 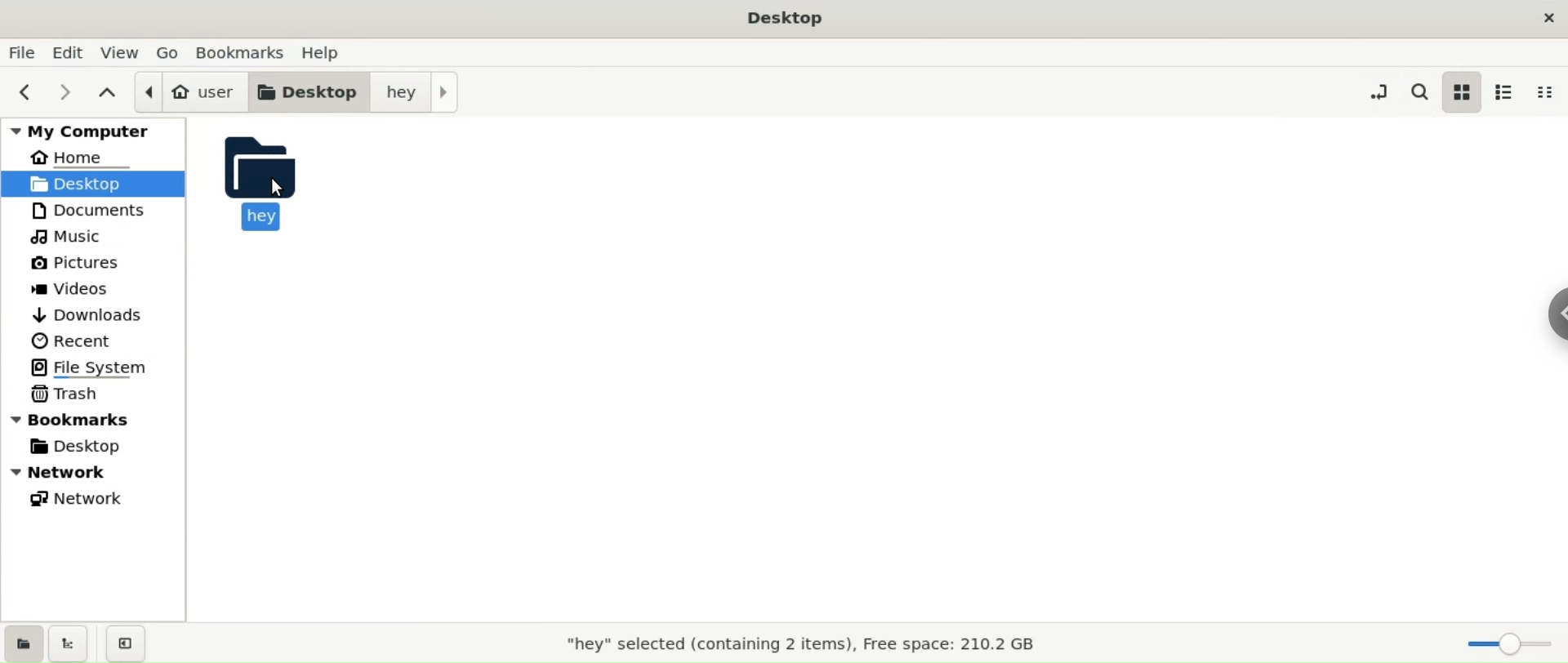 I want to click on hey, so click(x=415, y=92).